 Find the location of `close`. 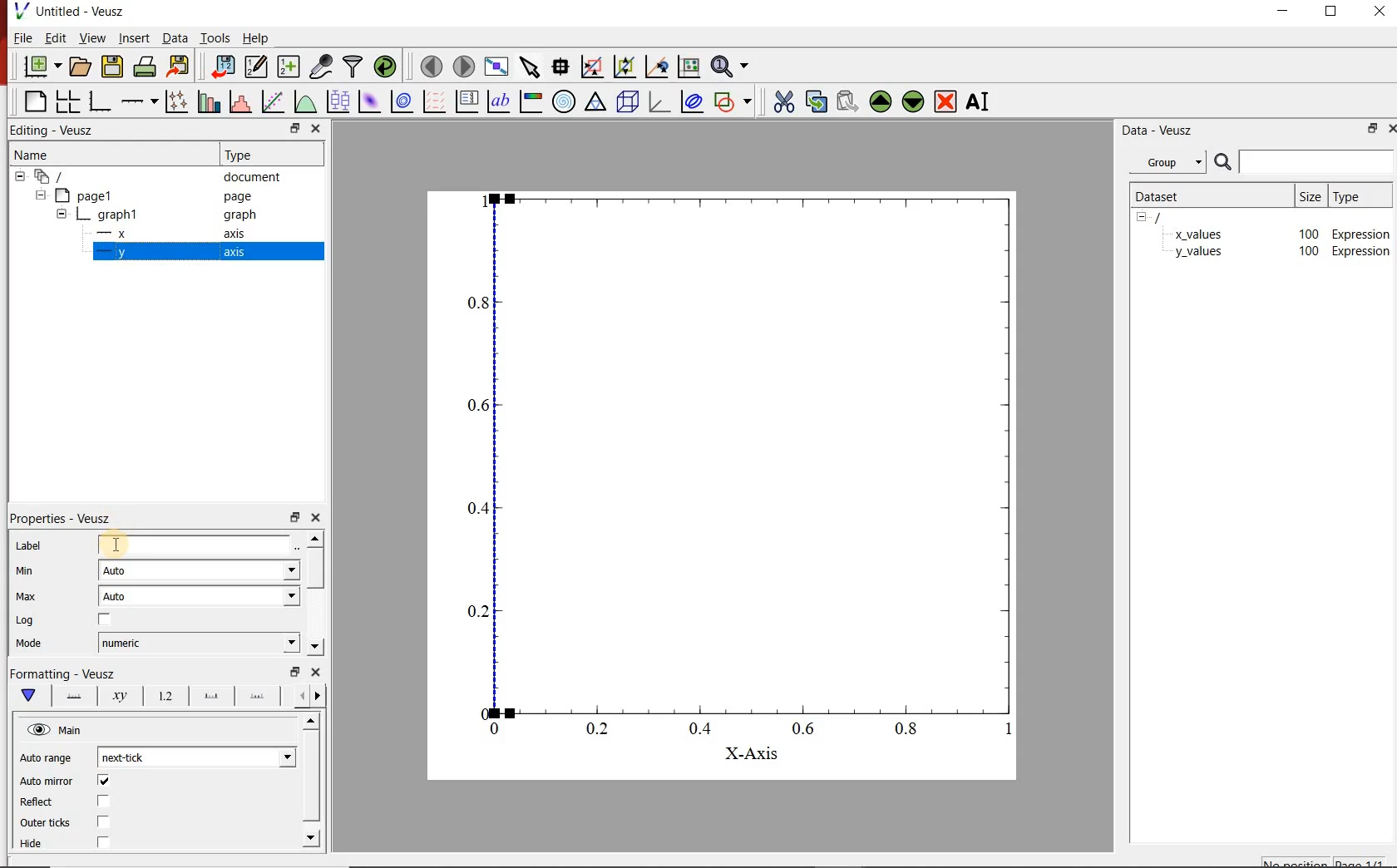

close is located at coordinates (317, 128).